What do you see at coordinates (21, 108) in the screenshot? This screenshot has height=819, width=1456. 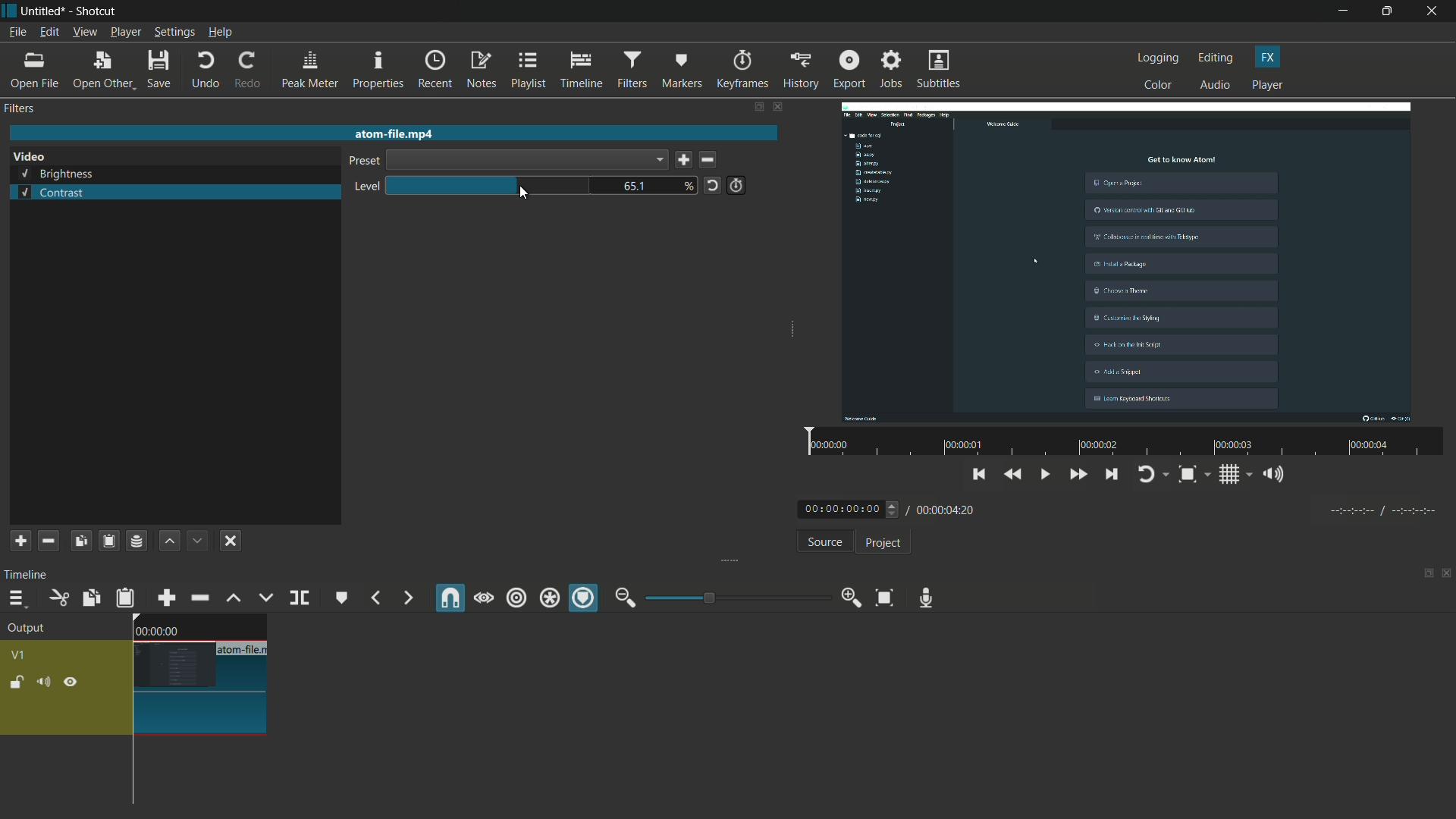 I see `filters` at bounding box center [21, 108].